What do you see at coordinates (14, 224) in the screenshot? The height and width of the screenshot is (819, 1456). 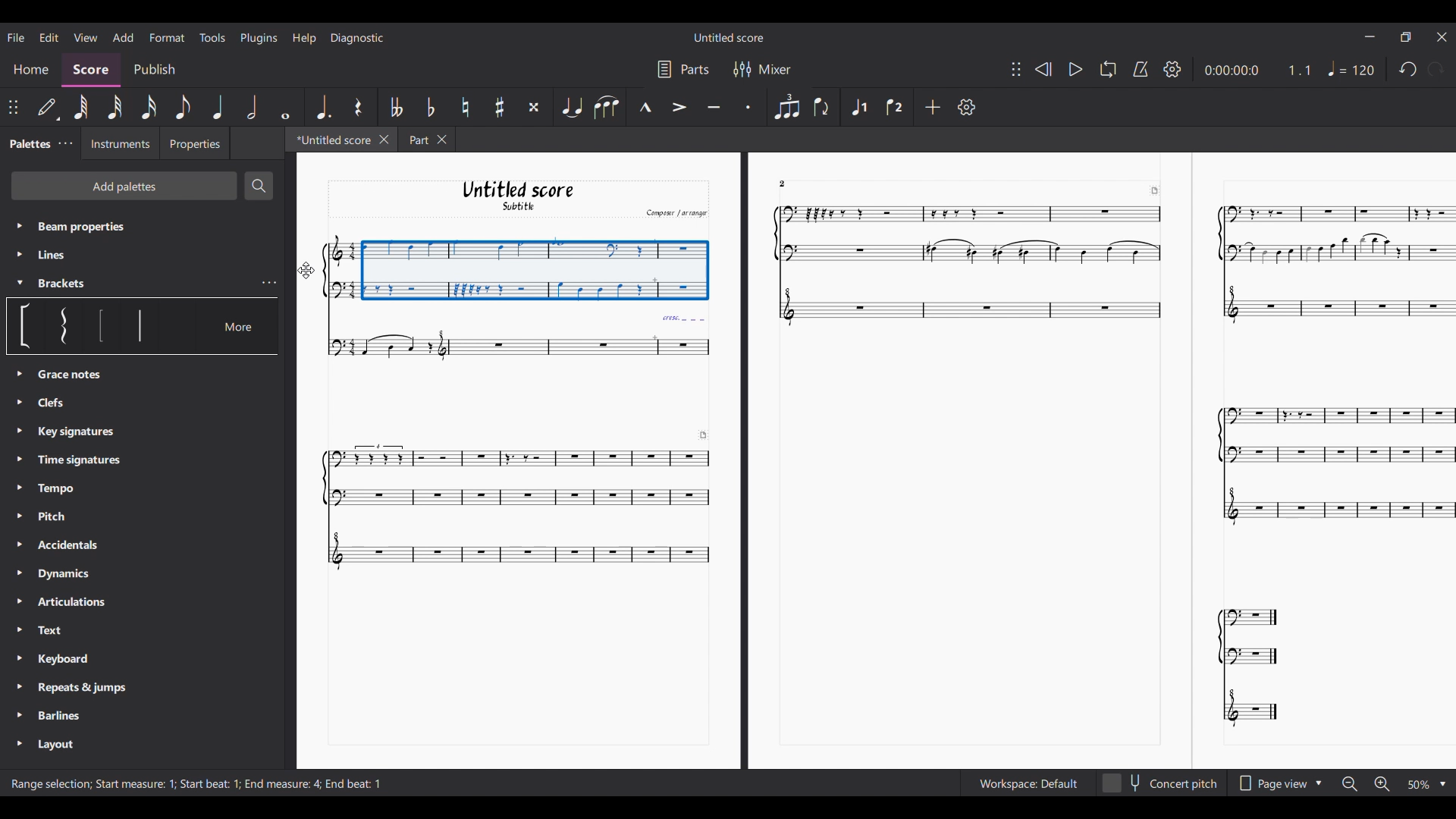 I see `` at bounding box center [14, 224].